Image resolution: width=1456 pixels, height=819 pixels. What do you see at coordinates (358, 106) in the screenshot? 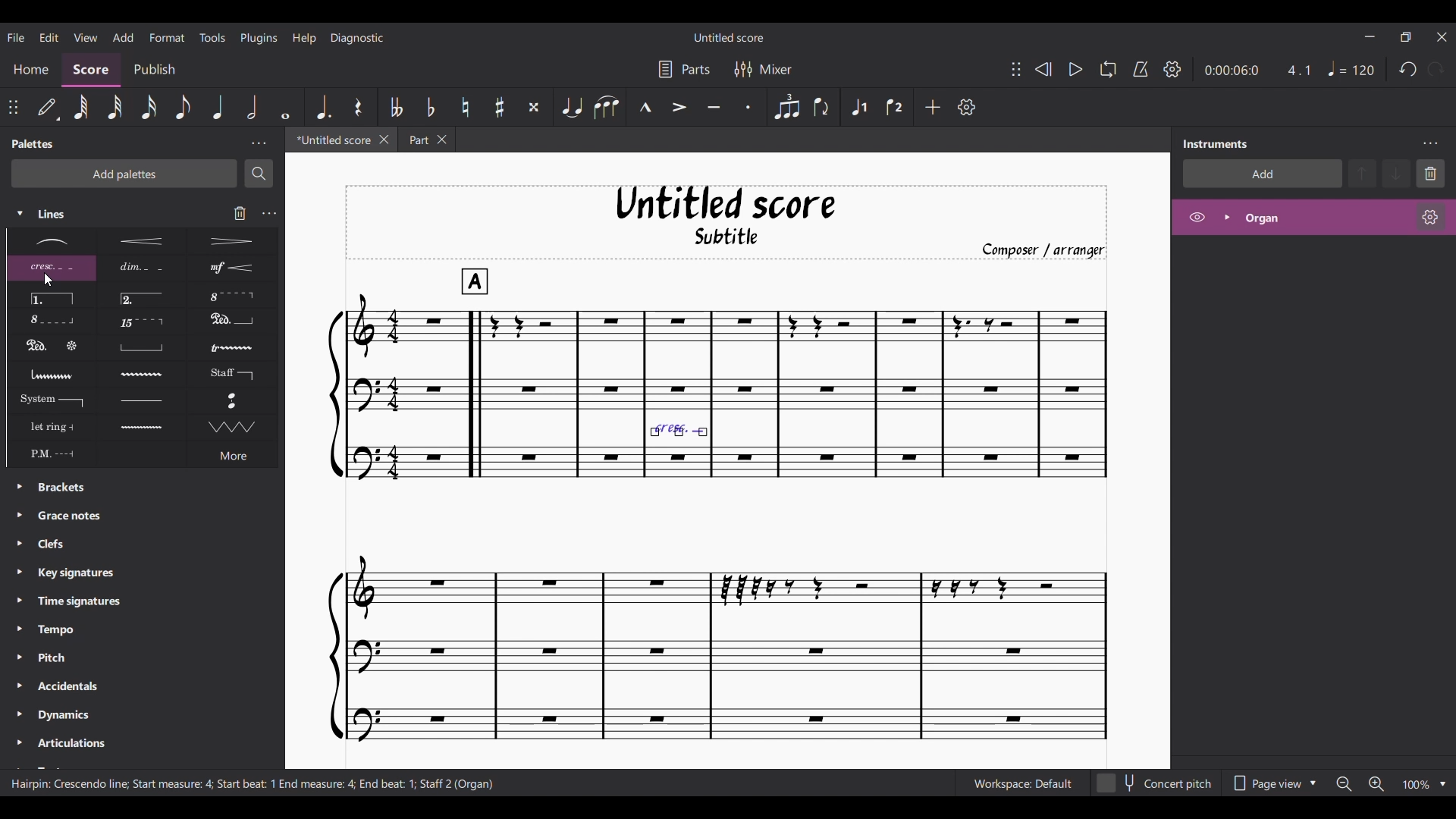
I see `Rest` at bounding box center [358, 106].